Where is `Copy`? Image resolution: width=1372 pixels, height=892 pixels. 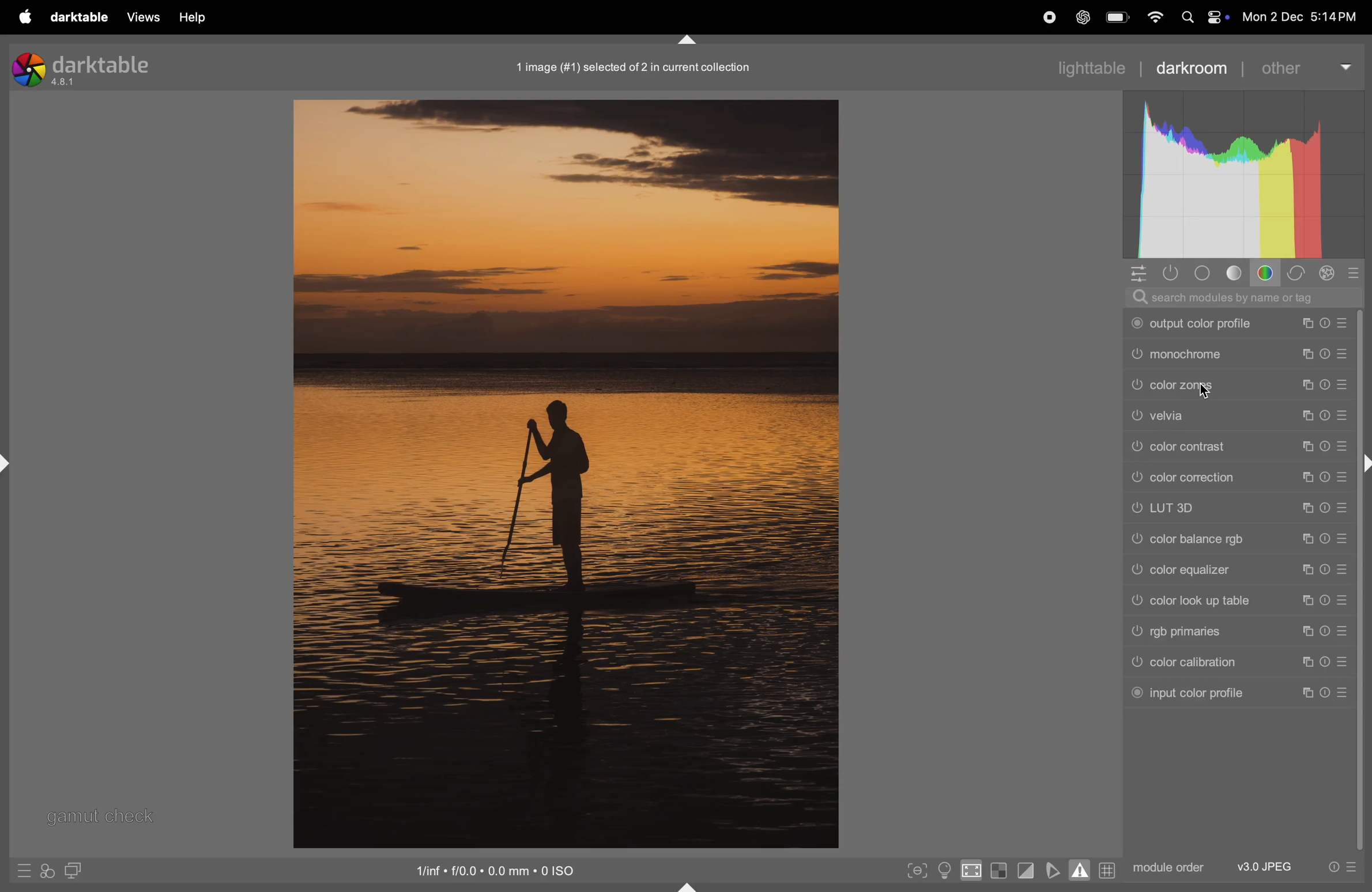
Copy is located at coordinates (1306, 632).